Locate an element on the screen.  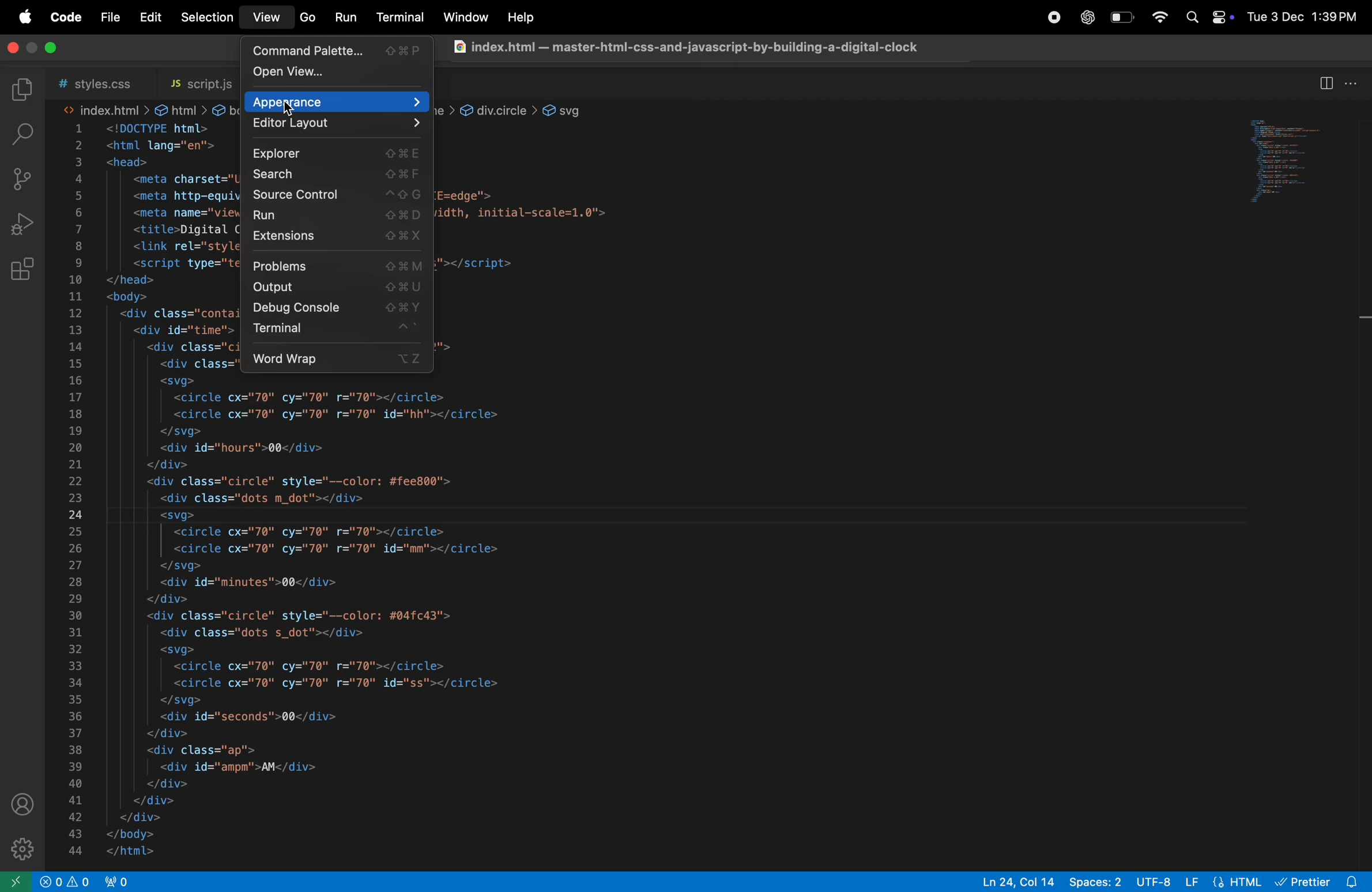
go is located at coordinates (307, 19).